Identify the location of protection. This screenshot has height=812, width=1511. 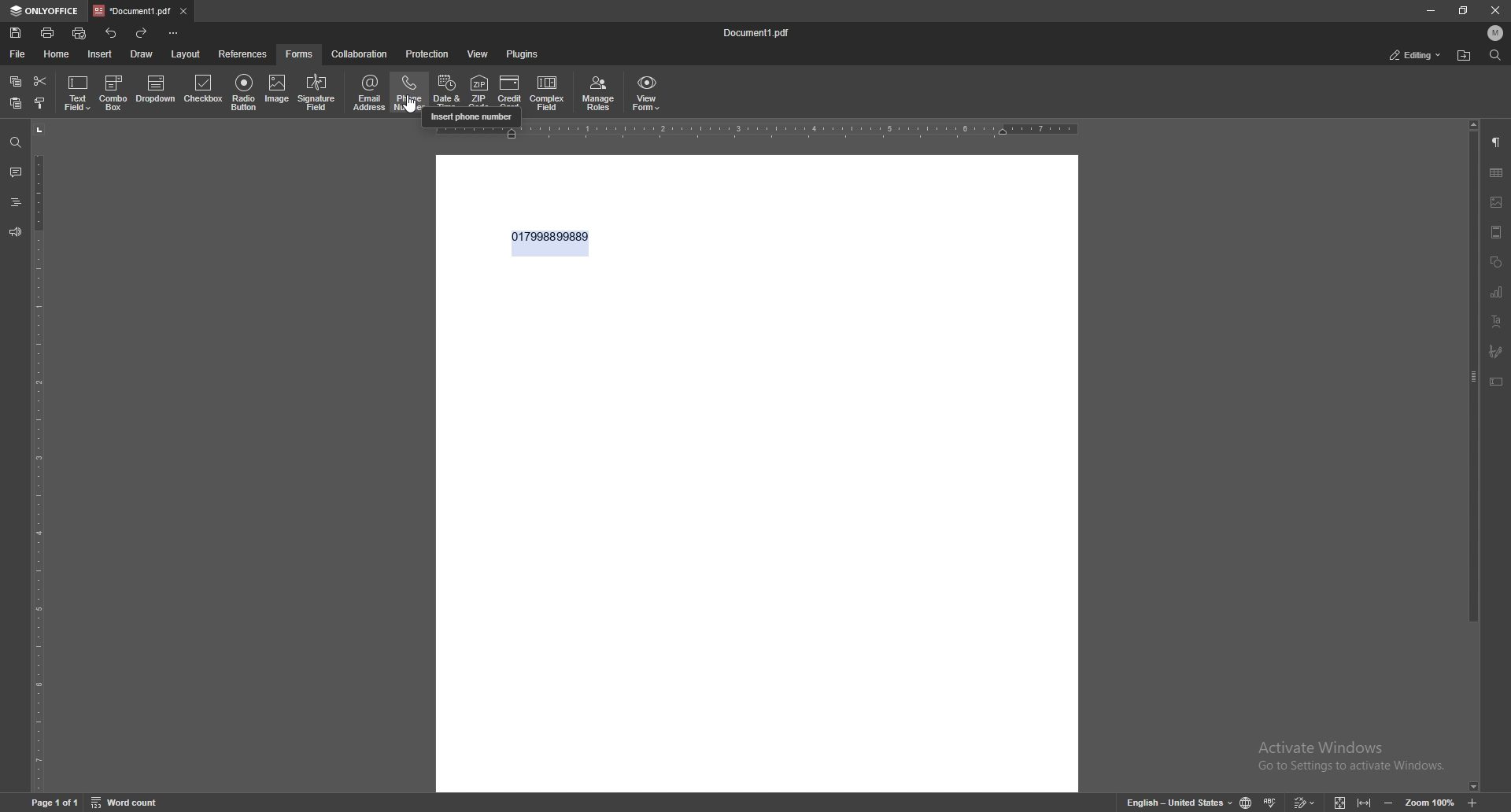
(427, 54).